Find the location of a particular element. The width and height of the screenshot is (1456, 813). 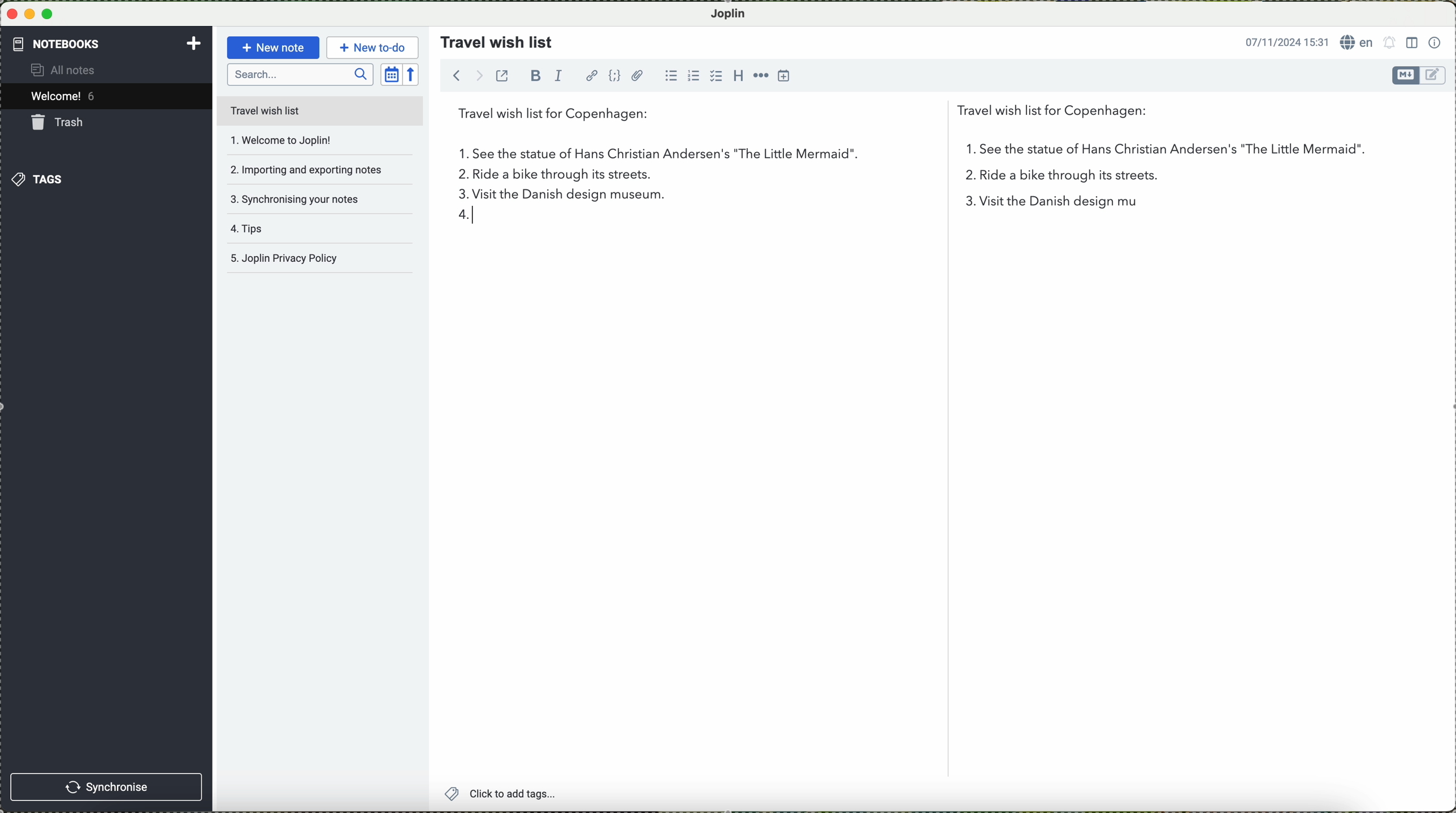

tips is located at coordinates (298, 233).